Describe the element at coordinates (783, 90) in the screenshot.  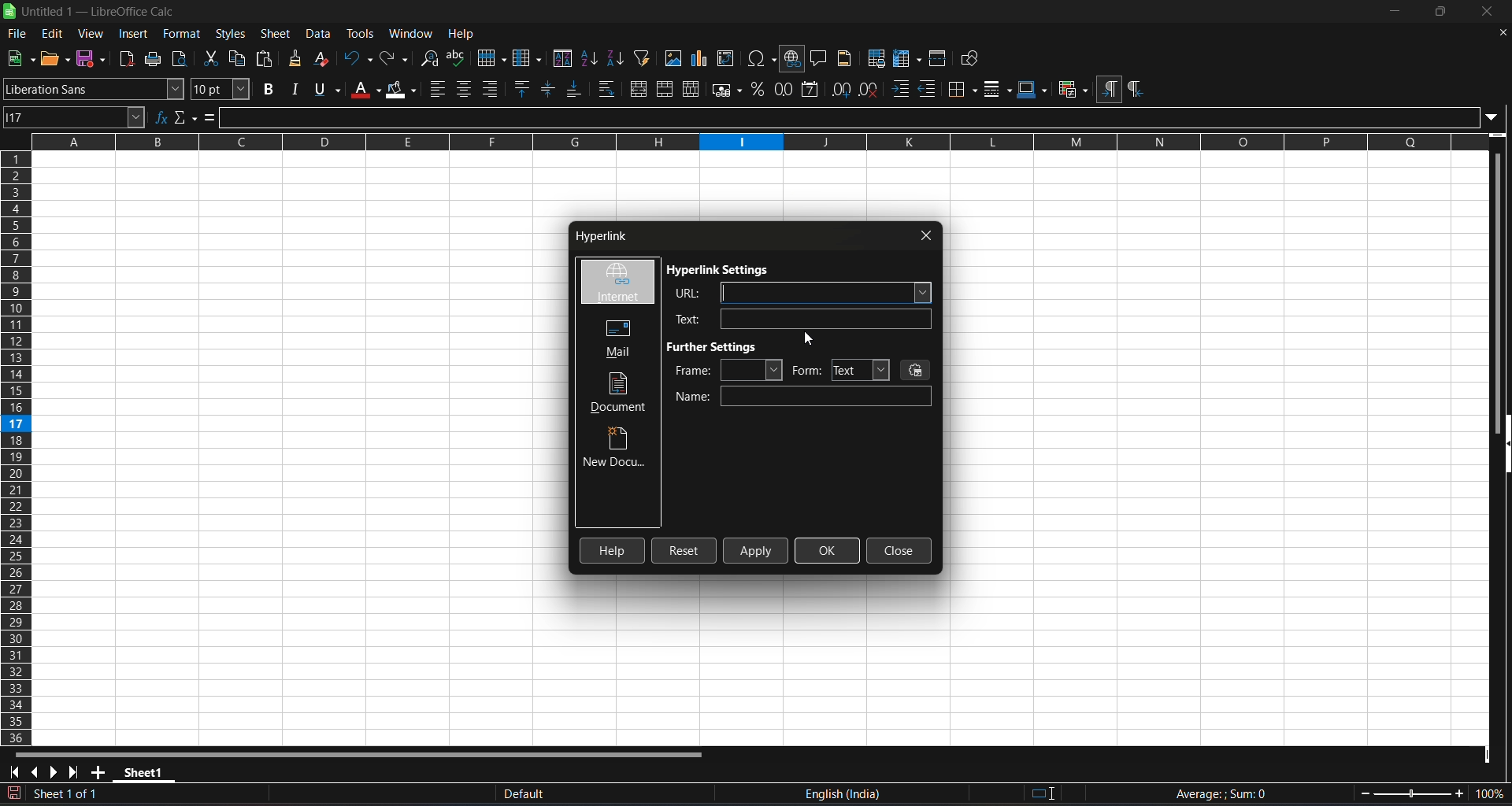
I see `format as number` at that location.